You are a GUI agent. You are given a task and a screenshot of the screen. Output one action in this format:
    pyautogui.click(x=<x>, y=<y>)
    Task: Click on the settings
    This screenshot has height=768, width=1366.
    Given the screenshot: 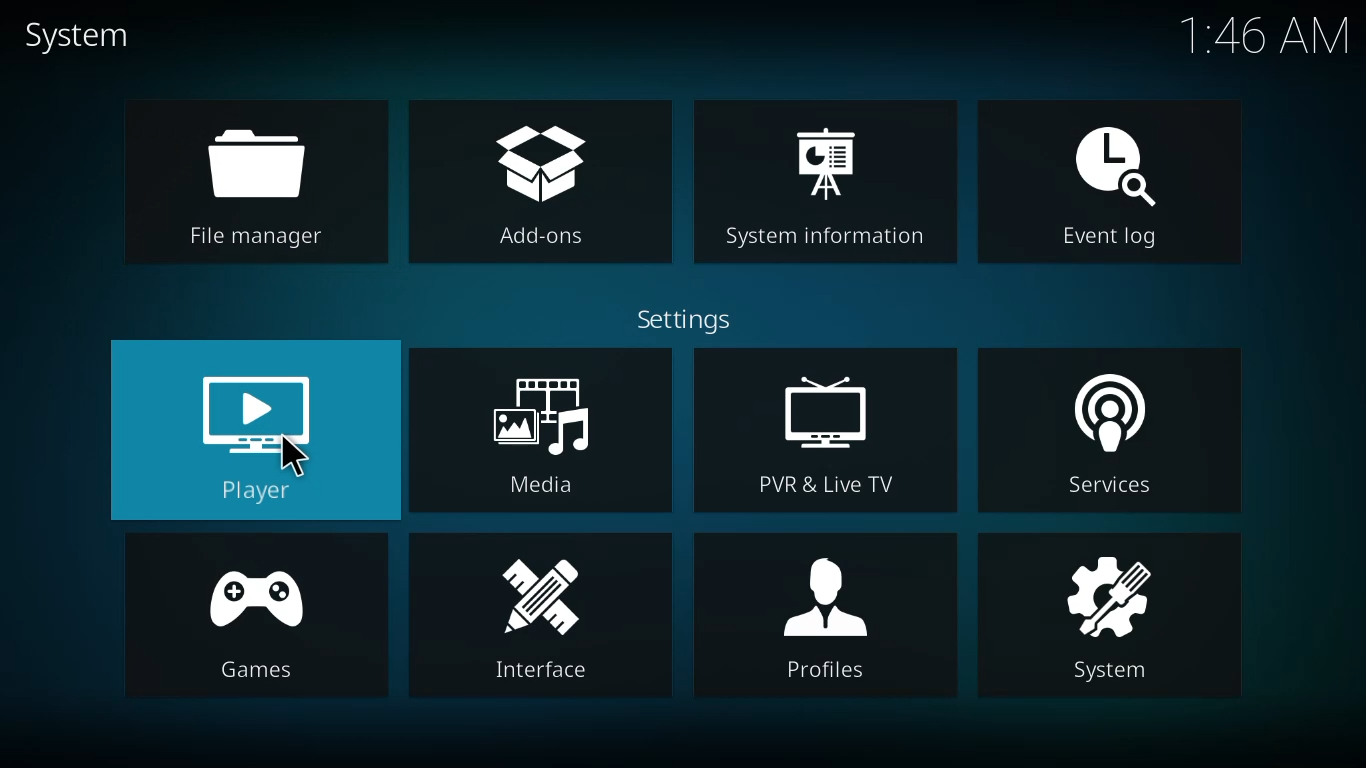 What is the action you would take?
    pyautogui.click(x=687, y=319)
    